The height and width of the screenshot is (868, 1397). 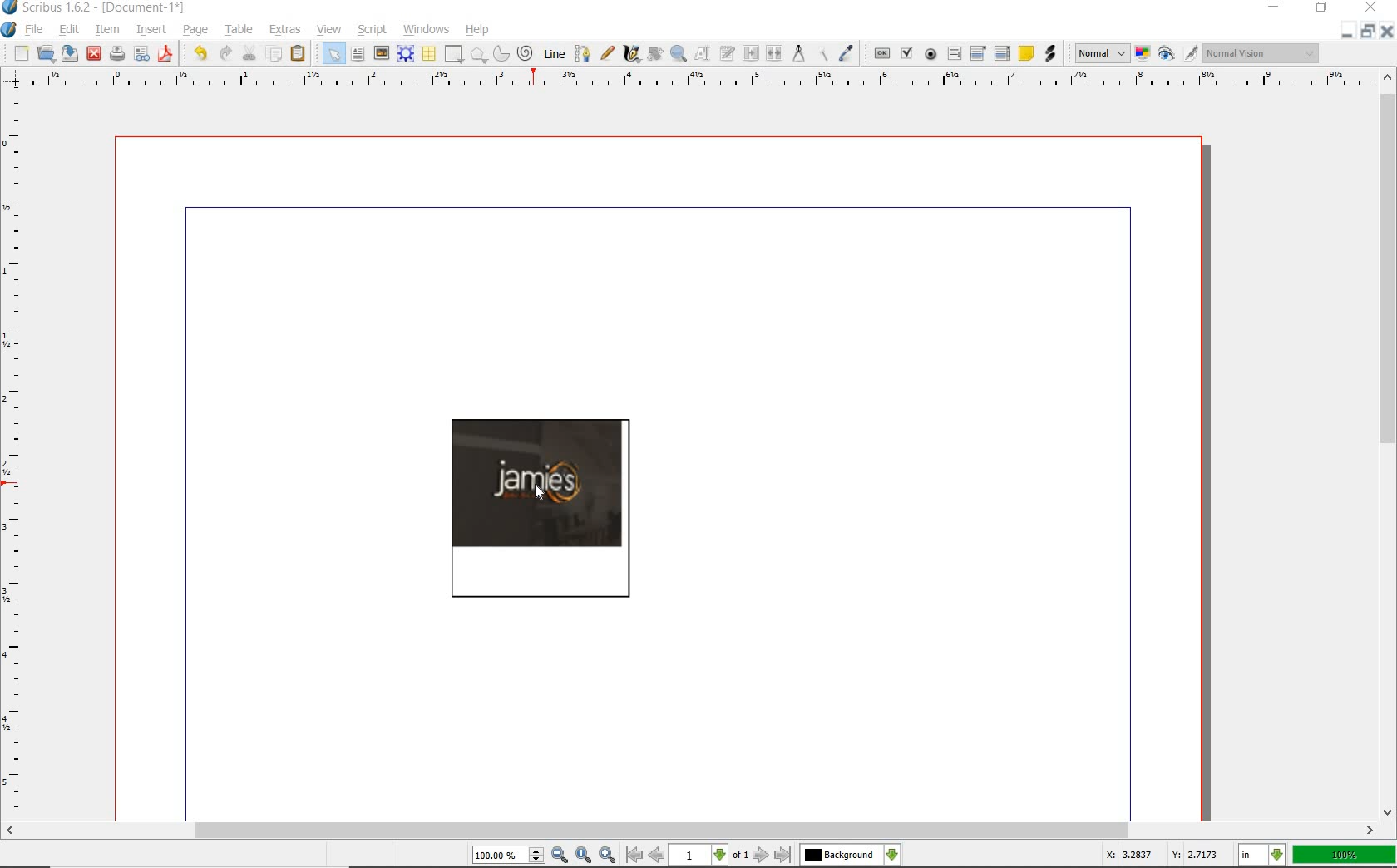 I want to click on COPY, so click(x=274, y=57).